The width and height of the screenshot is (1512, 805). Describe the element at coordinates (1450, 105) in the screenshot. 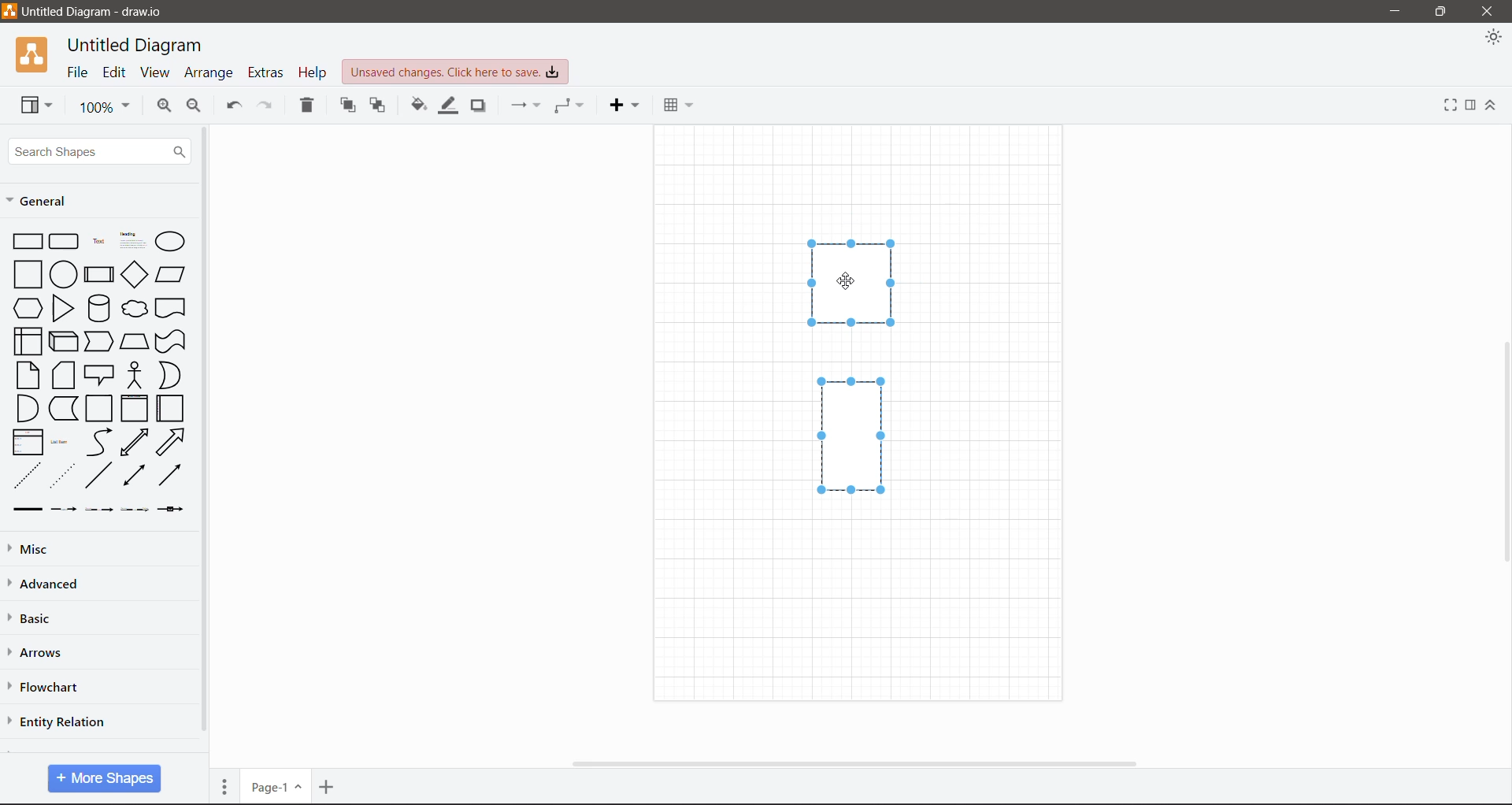

I see `Fullscreen` at that location.